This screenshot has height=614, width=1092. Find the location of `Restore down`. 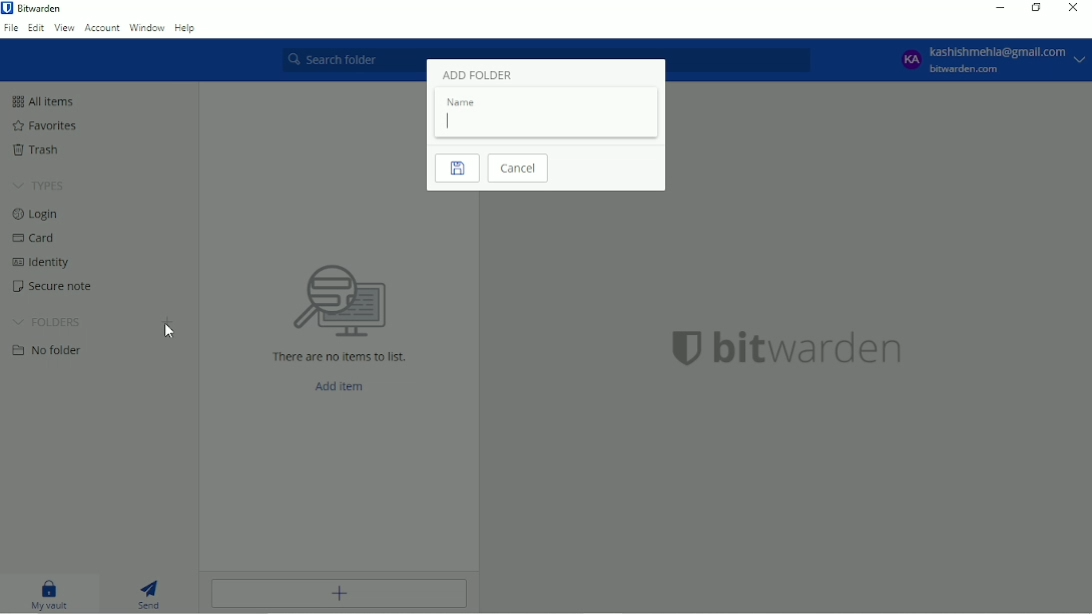

Restore down is located at coordinates (1036, 8).